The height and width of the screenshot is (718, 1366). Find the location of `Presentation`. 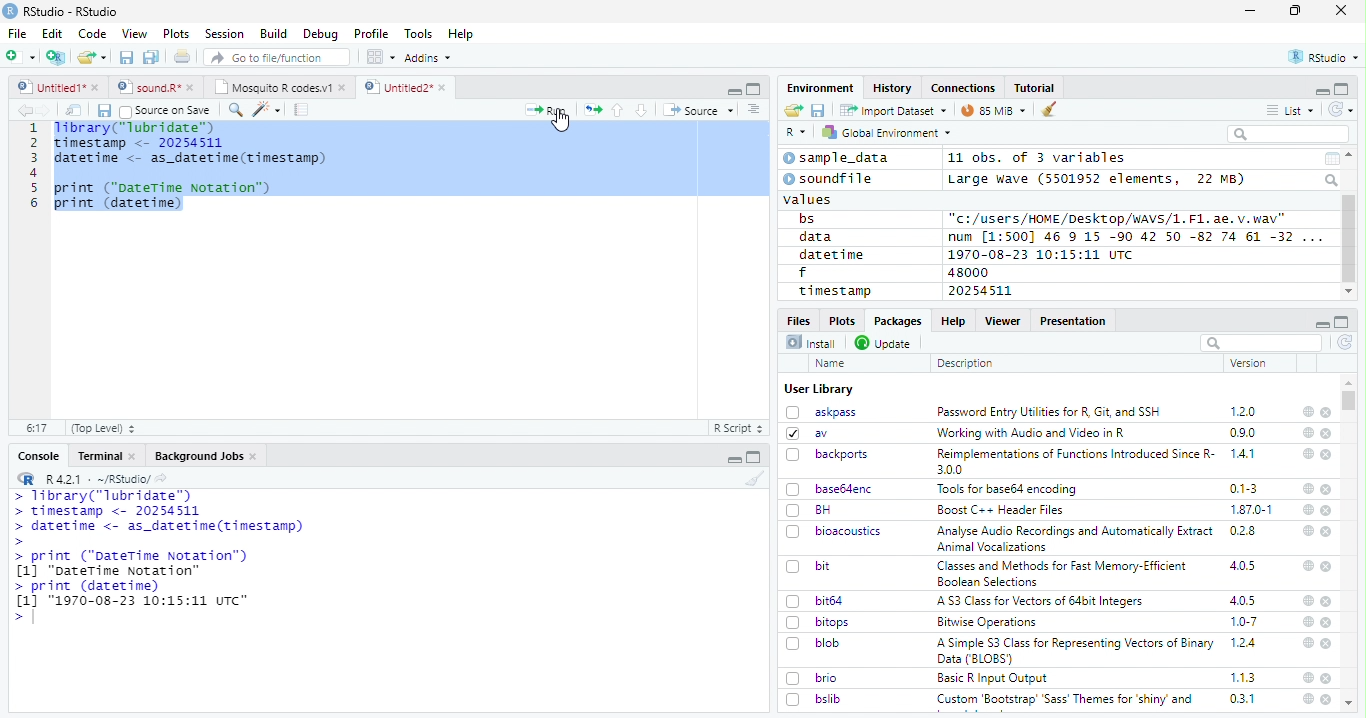

Presentation is located at coordinates (1074, 321).